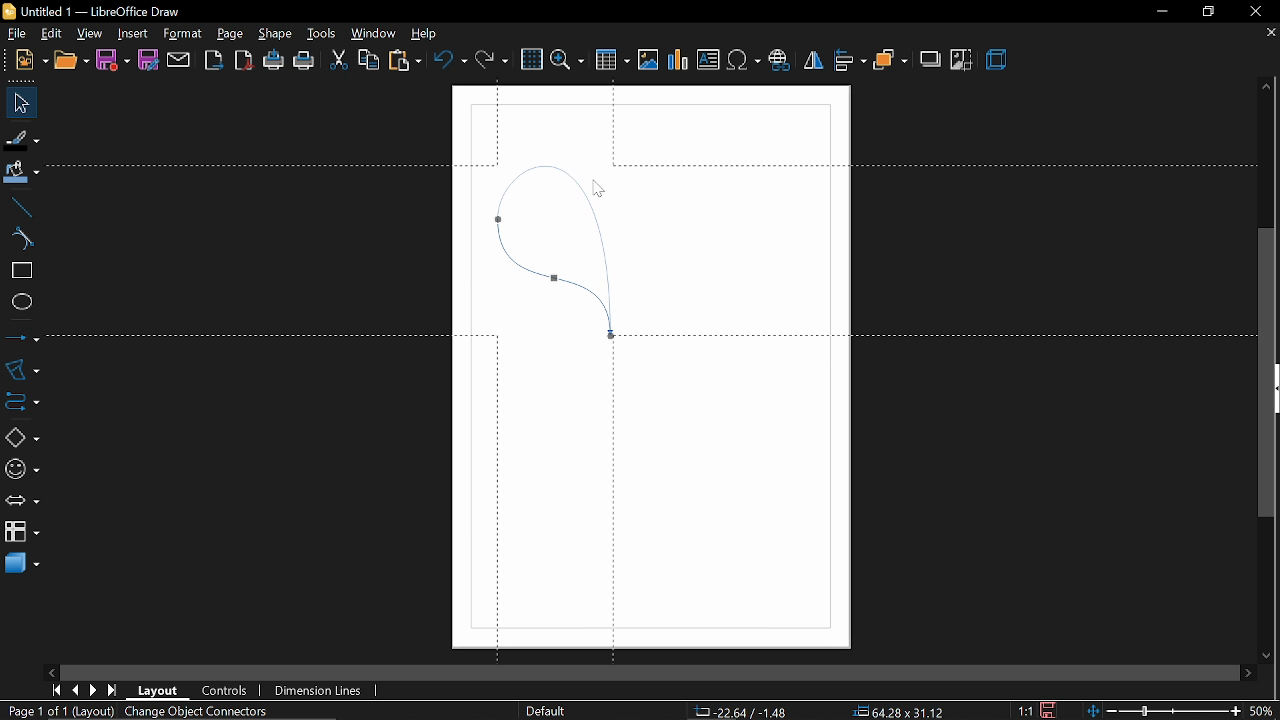 The height and width of the screenshot is (720, 1280). I want to click on Insert text, so click(708, 60).